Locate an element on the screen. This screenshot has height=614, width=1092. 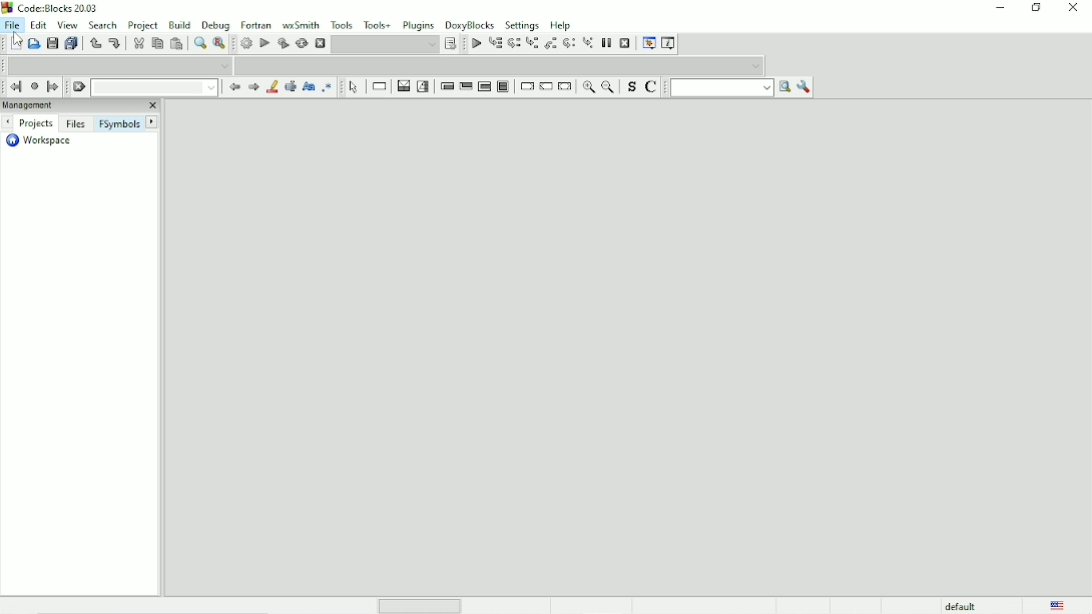
Undo is located at coordinates (93, 43).